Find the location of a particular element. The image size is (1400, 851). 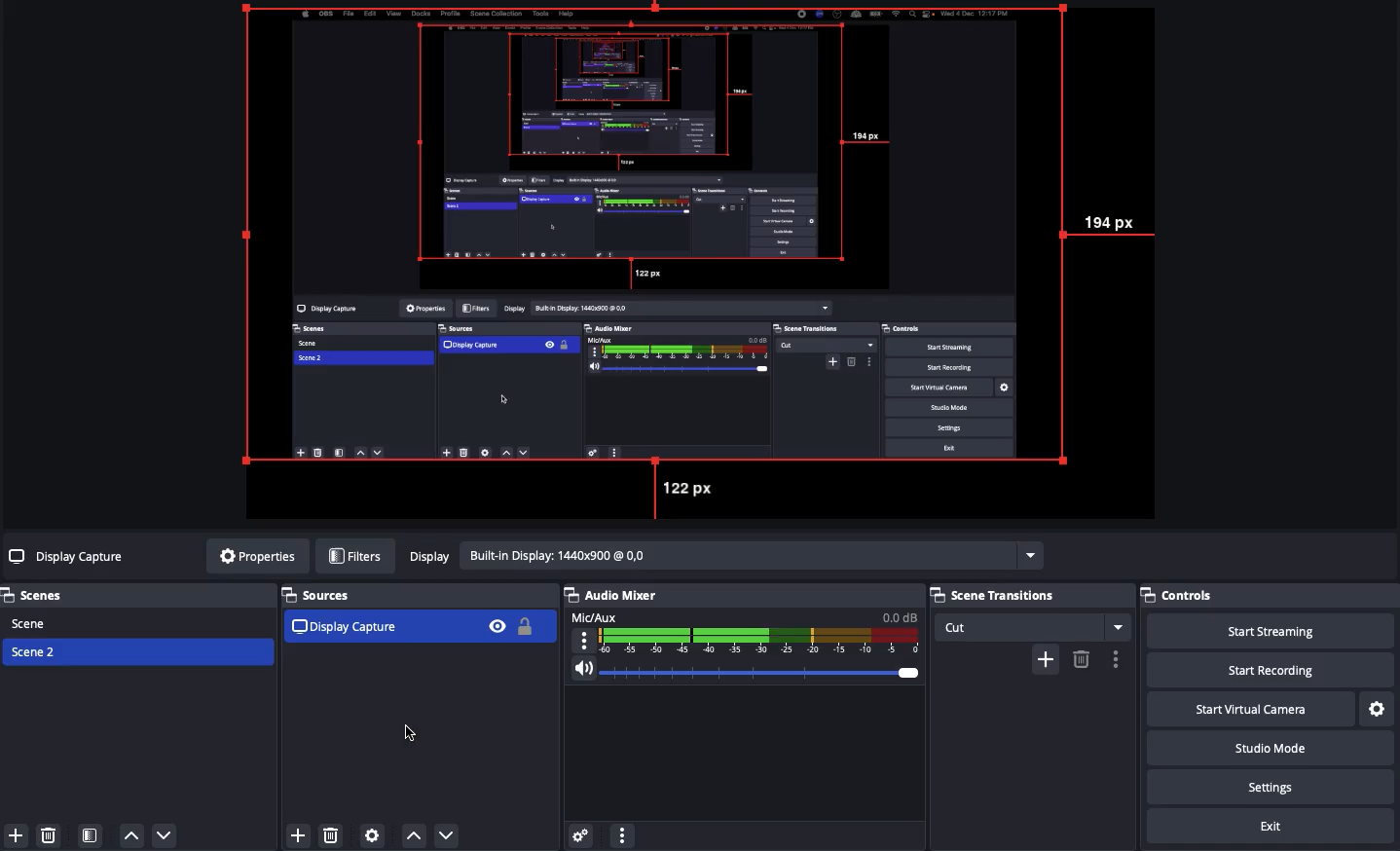

display value is located at coordinates (752, 555).